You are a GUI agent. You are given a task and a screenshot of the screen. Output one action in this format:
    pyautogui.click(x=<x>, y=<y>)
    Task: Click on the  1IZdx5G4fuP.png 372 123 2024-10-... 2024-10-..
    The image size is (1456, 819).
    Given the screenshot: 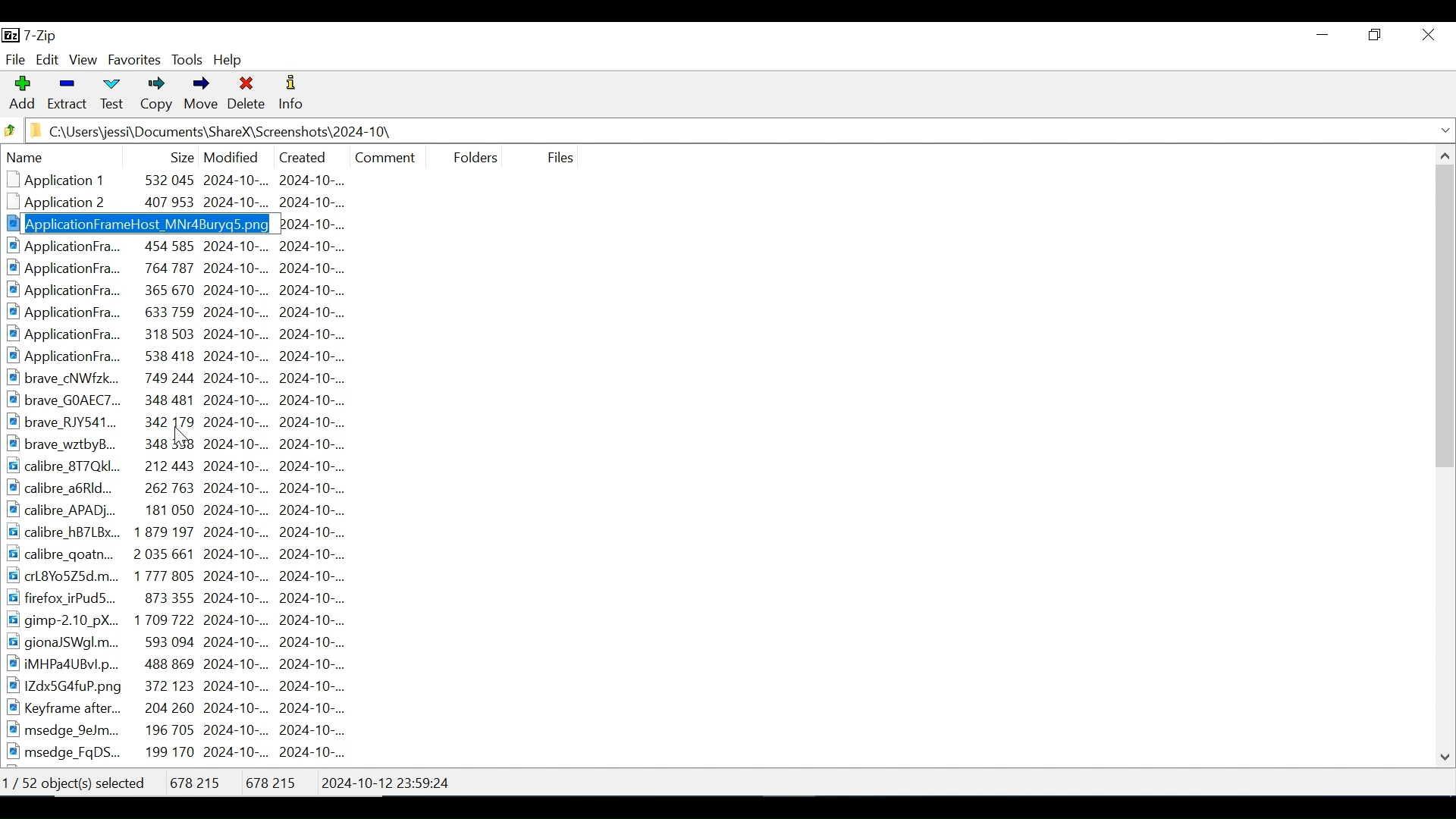 What is the action you would take?
    pyautogui.click(x=180, y=686)
    